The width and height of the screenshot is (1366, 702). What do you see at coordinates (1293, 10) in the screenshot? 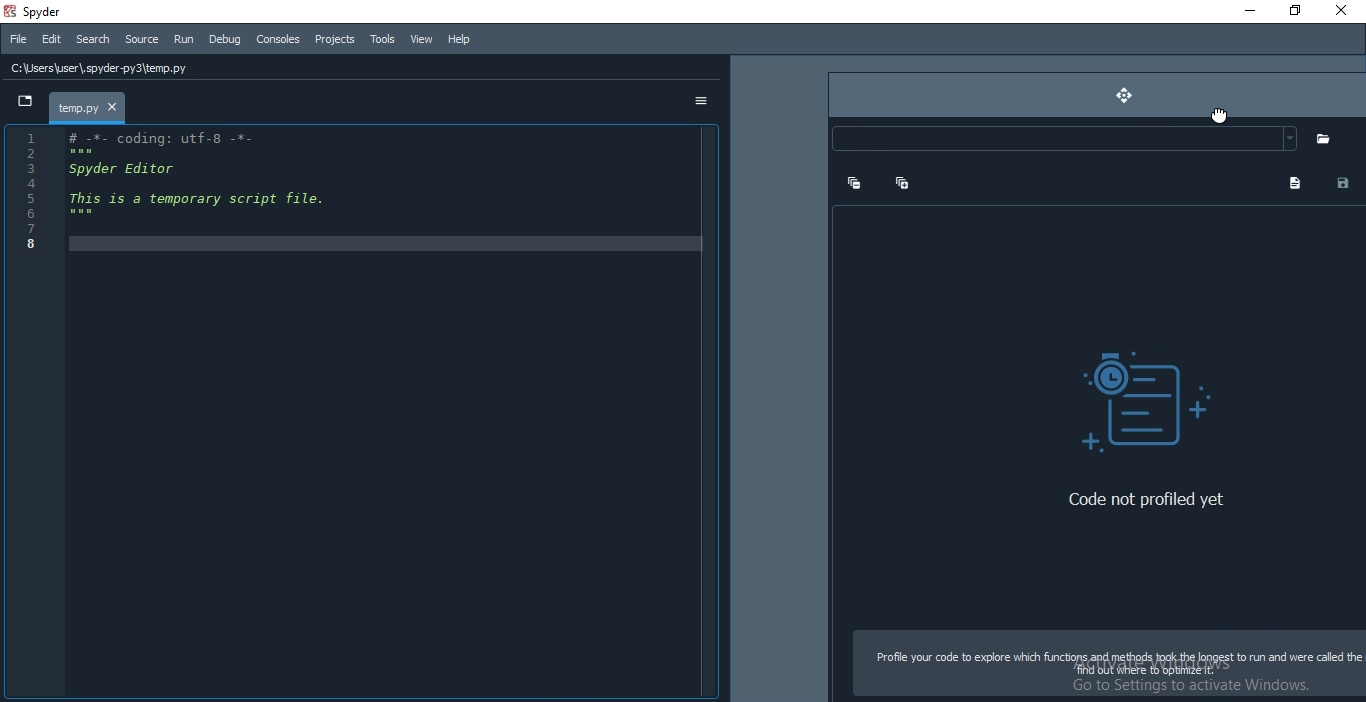
I see `Restore` at bounding box center [1293, 10].